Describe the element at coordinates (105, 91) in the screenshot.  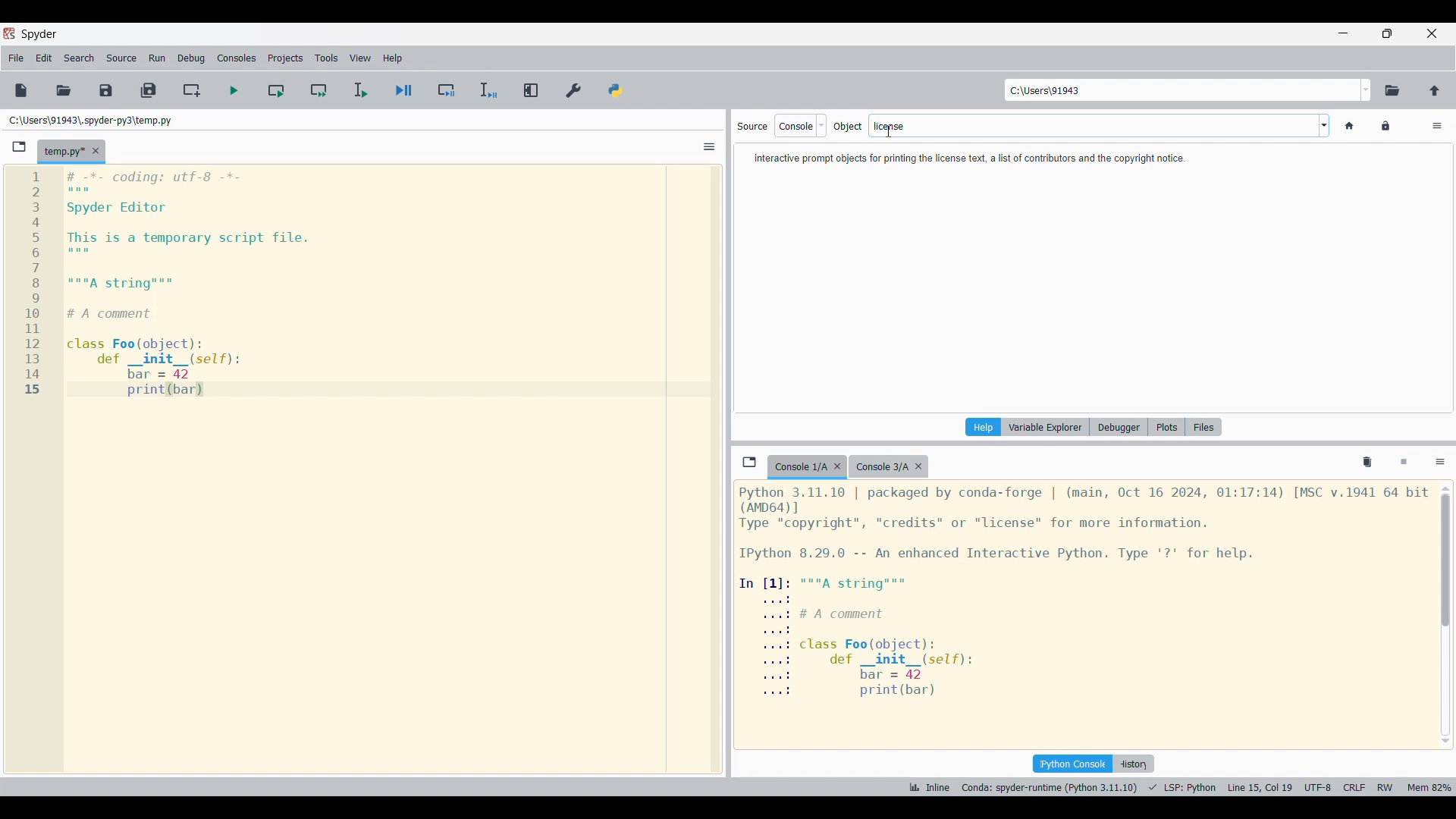
I see `Save file` at that location.